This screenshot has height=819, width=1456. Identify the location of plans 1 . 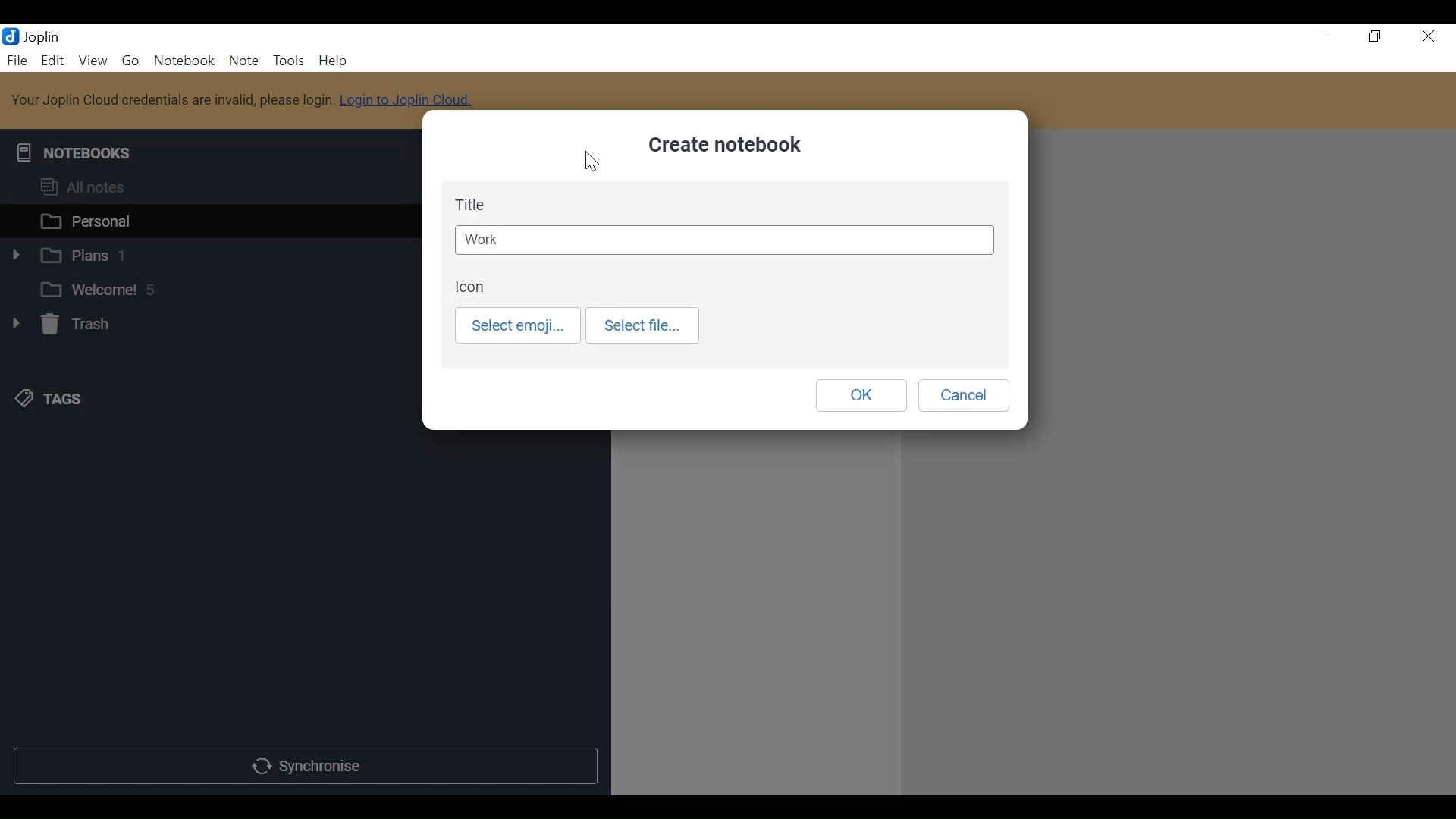
(209, 253).